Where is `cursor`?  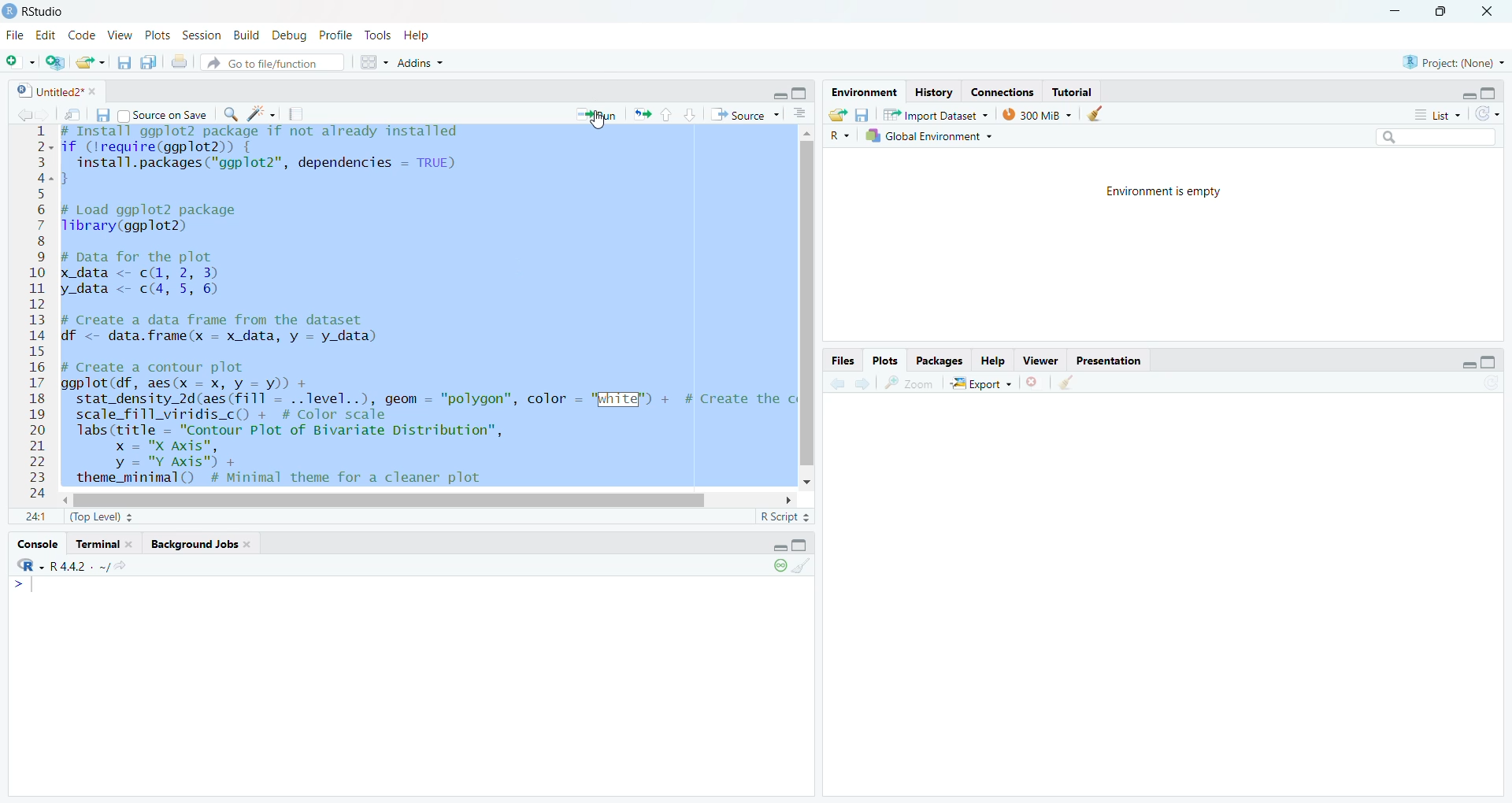 cursor is located at coordinates (599, 124).